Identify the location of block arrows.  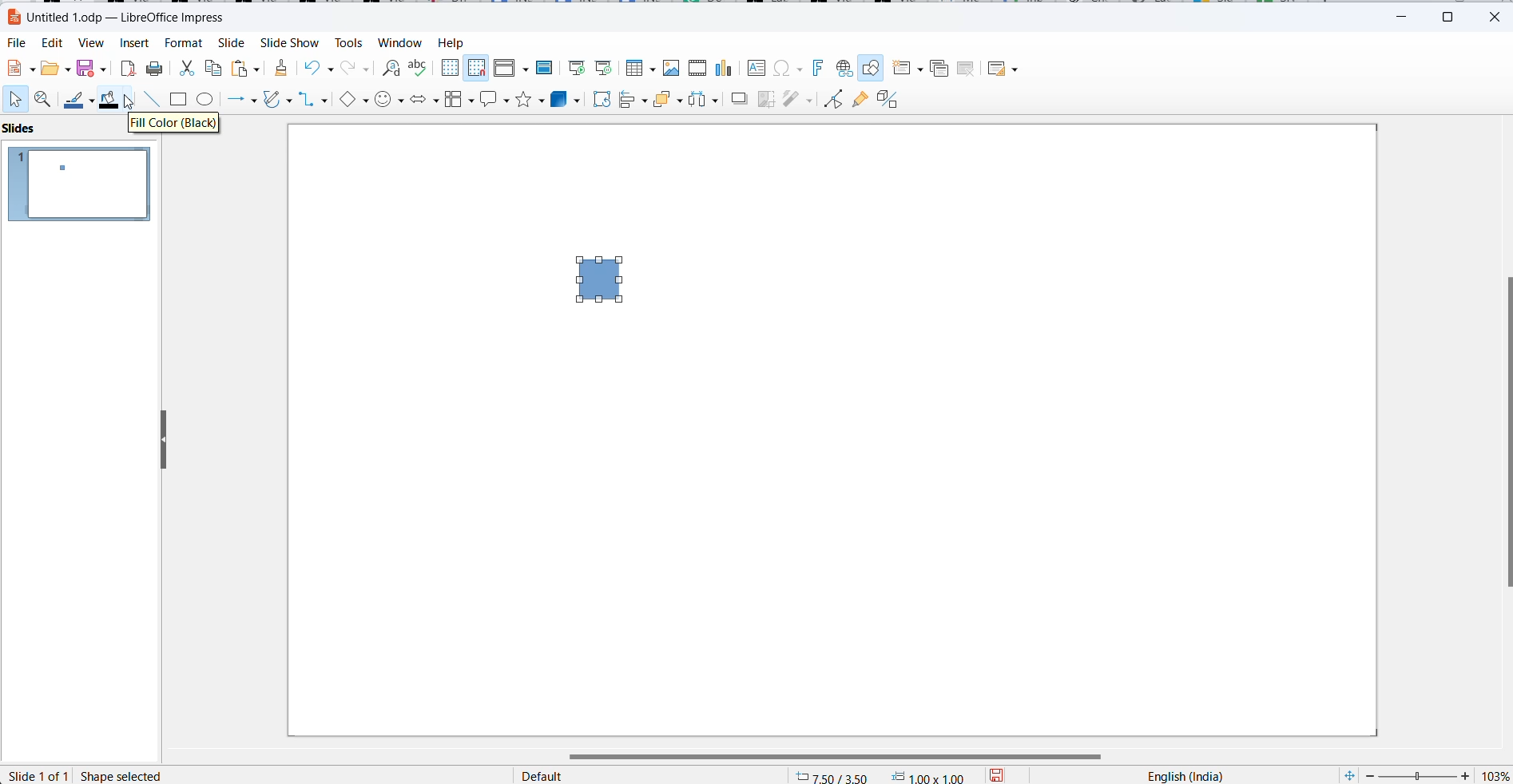
(424, 100).